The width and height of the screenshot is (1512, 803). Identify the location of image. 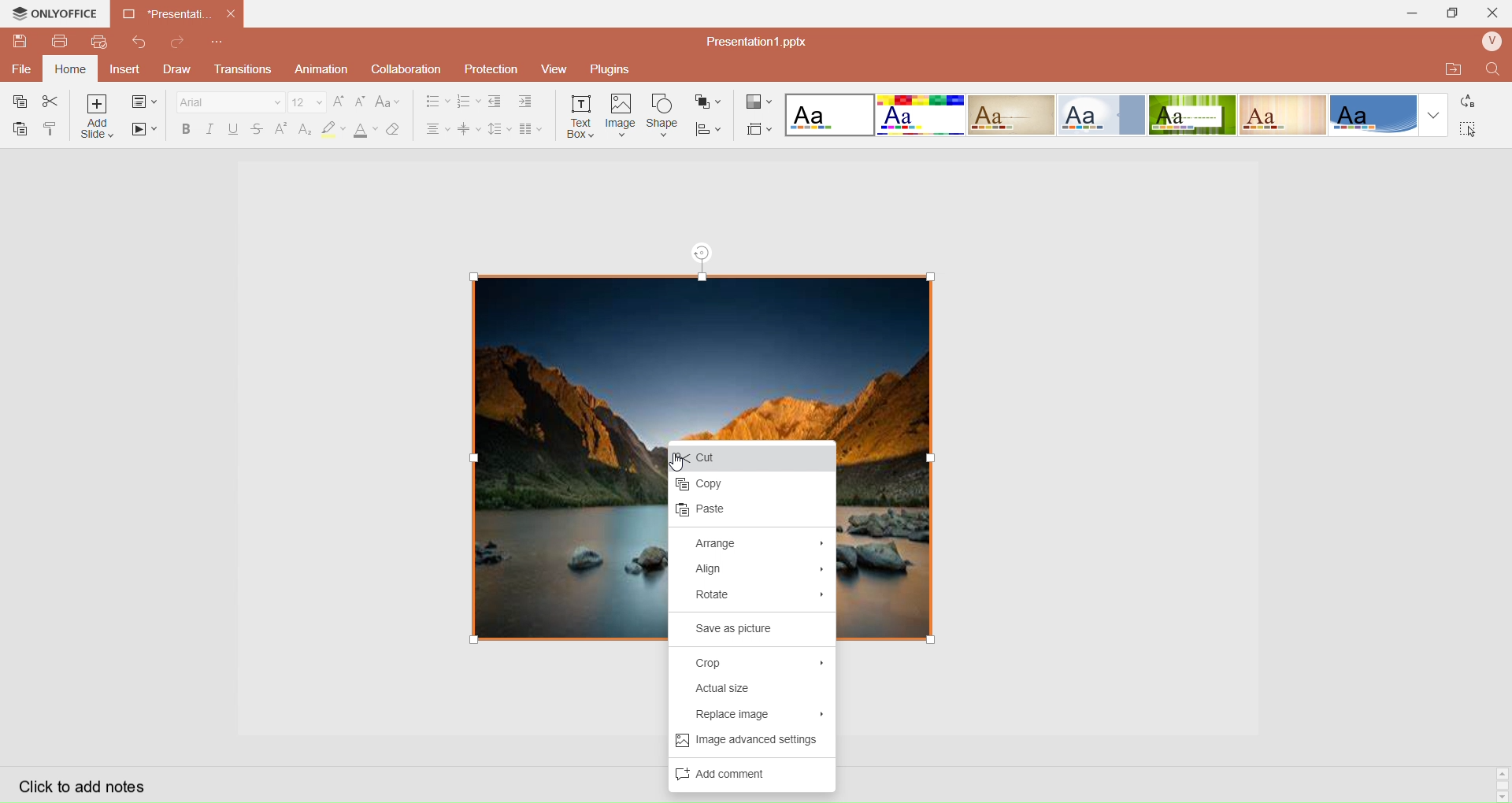
(703, 357).